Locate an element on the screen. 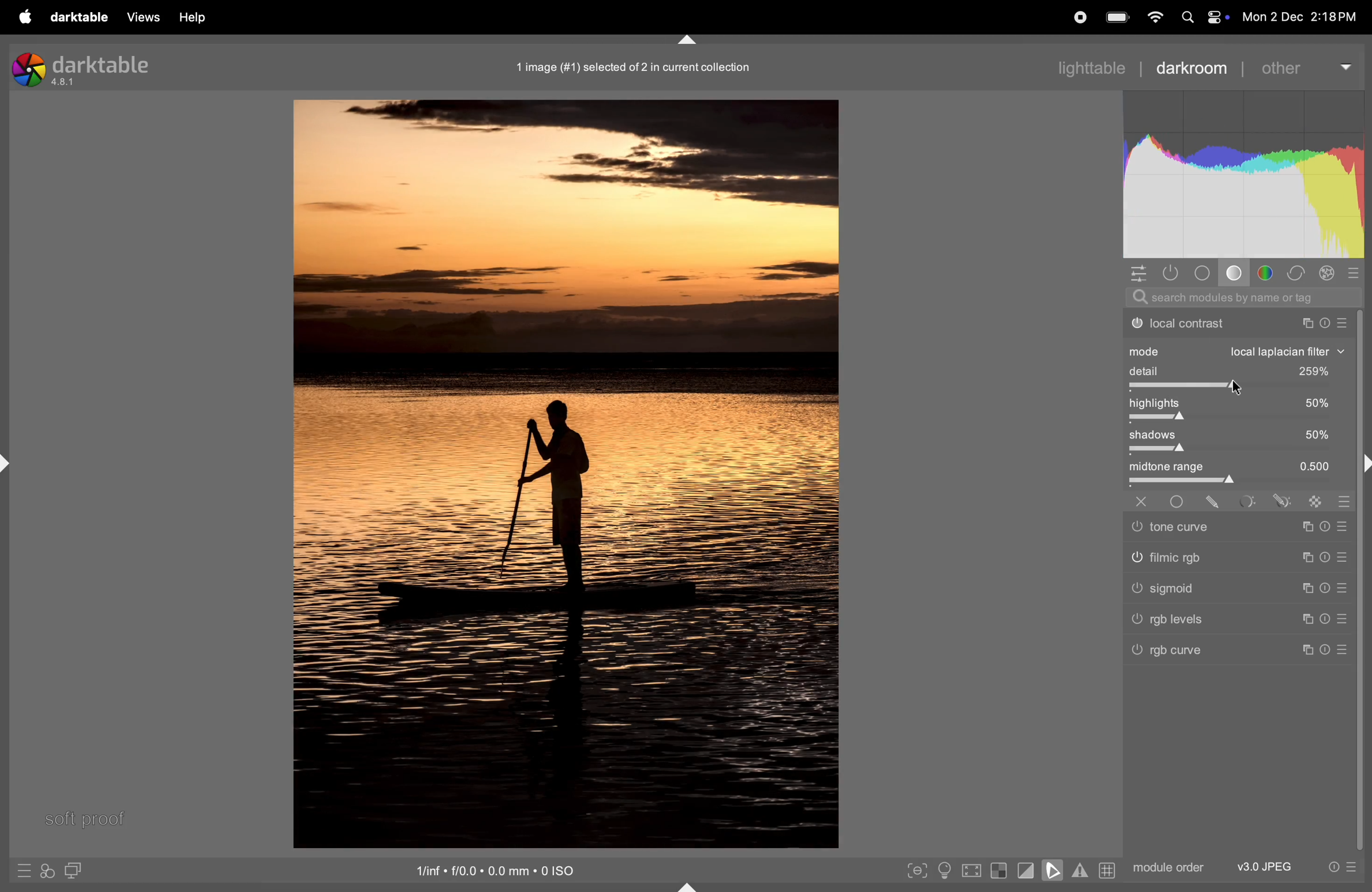  sign  is located at coordinates (1329, 618).